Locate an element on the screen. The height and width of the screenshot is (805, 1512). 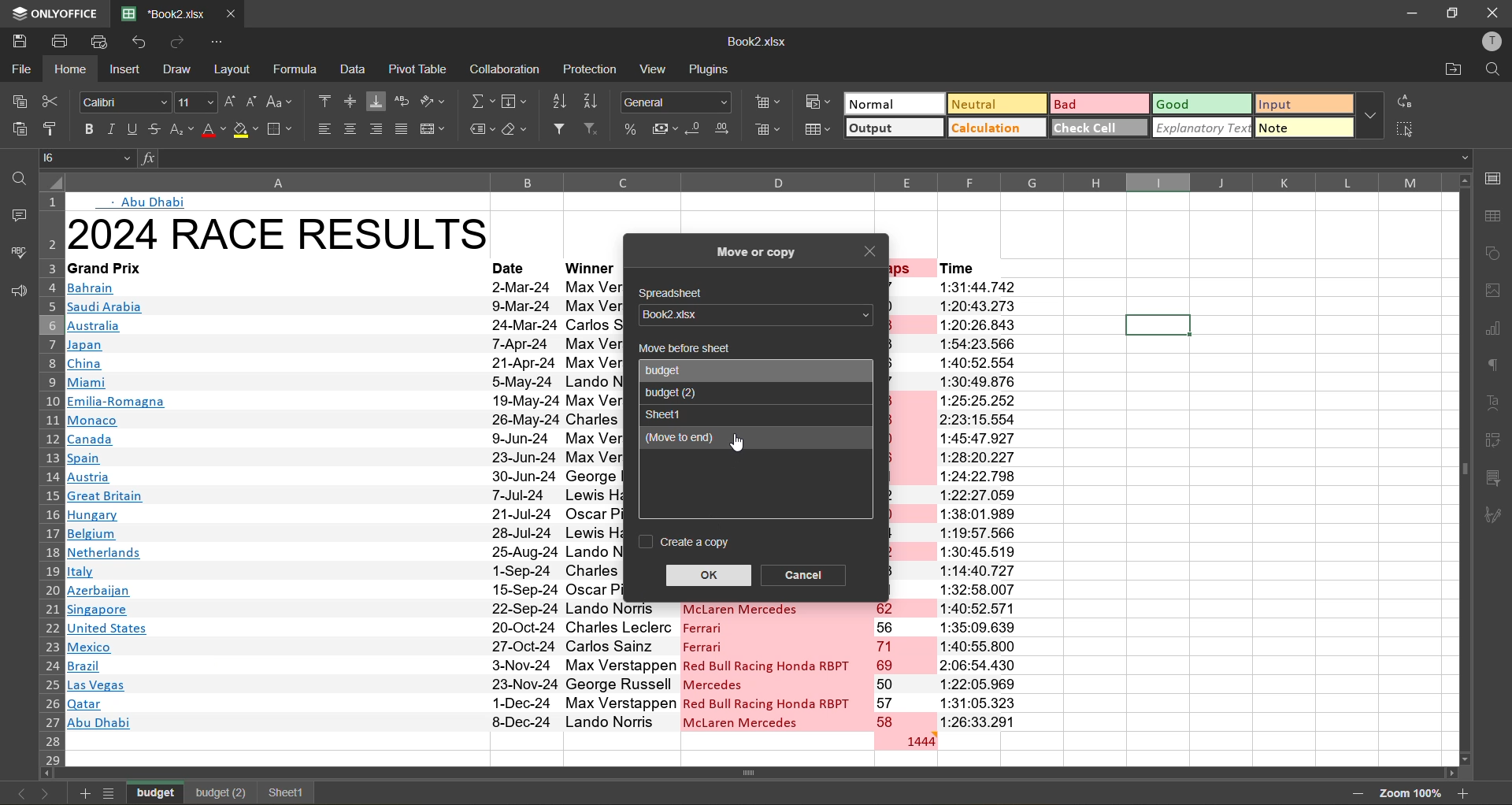
plugin is located at coordinates (714, 72).